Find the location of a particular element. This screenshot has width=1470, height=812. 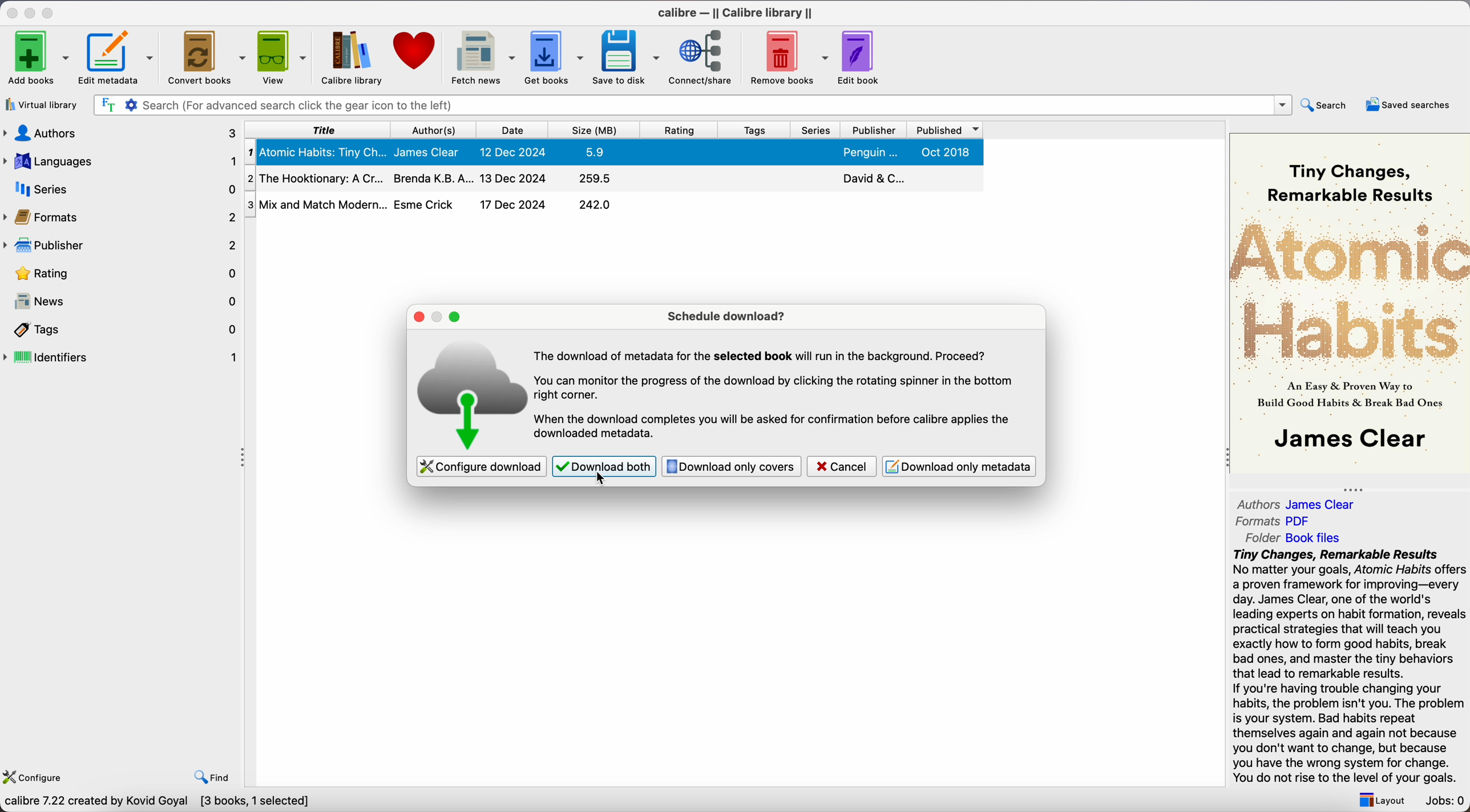

size is located at coordinates (595, 130).